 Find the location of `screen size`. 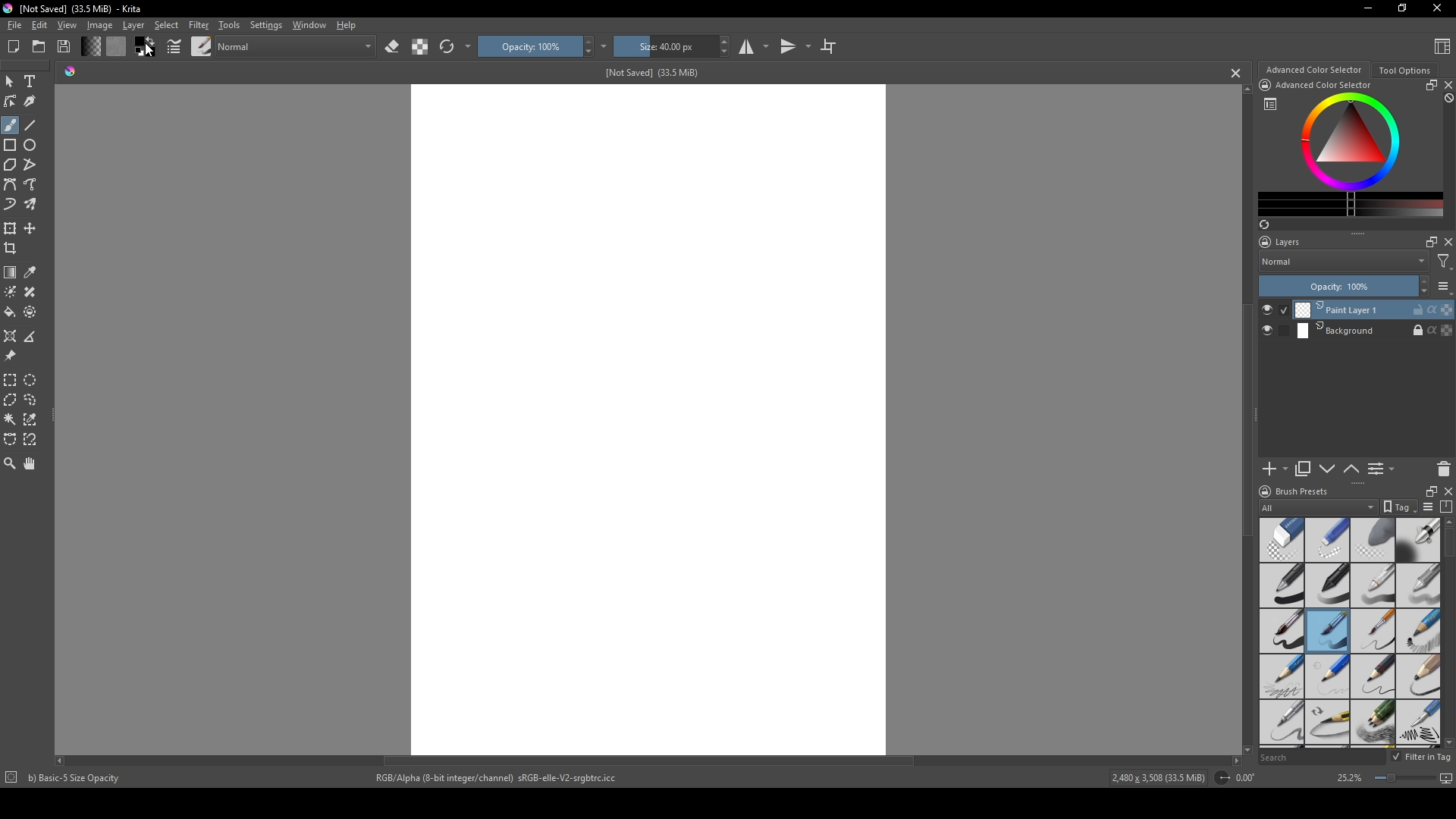

screen size is located at coordinates (1410, 780).